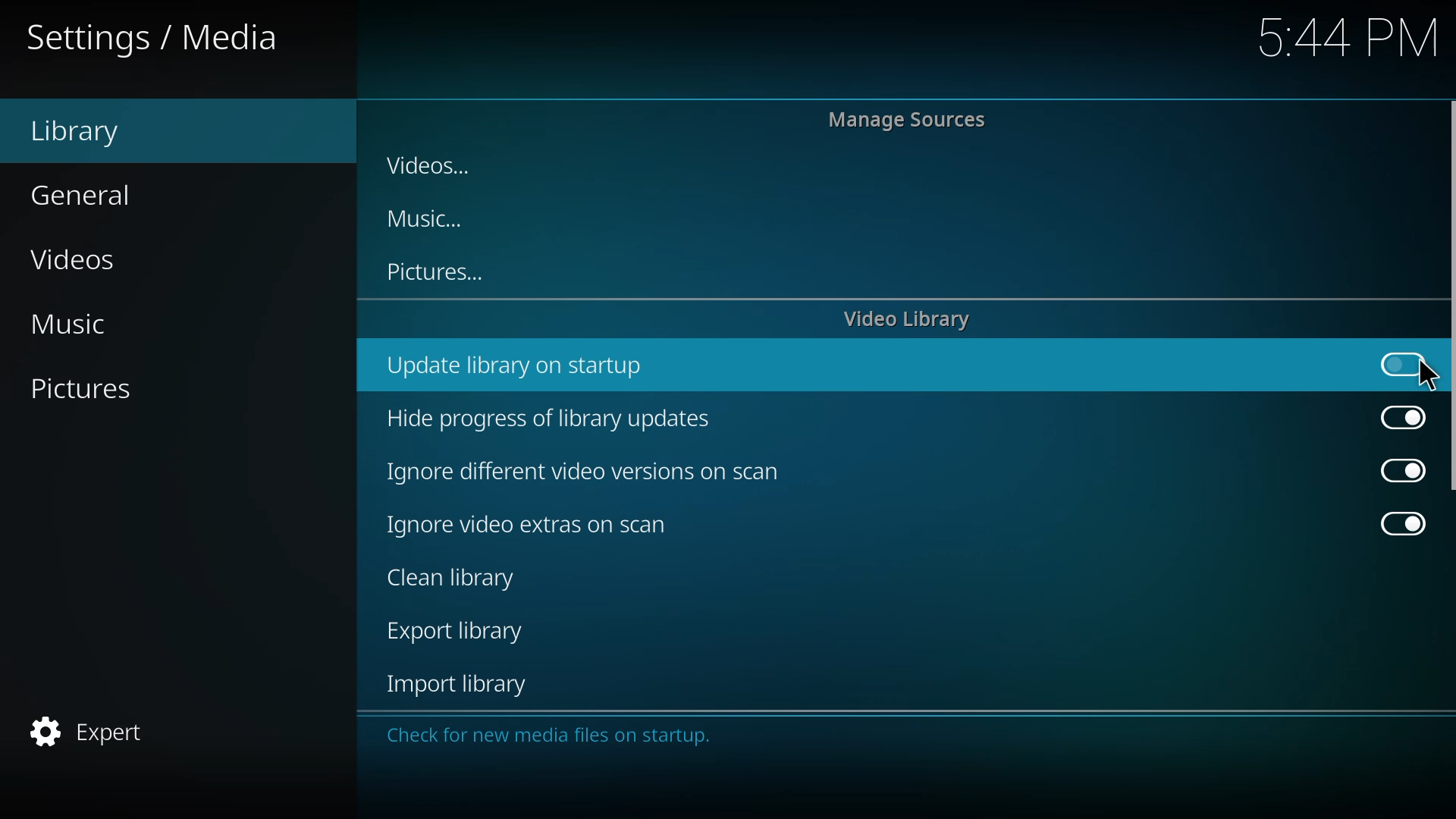 The height and width of the screenshot is (819, 1456). What do you see at coordinates (912, 319) in the screenshot?
I see `video library` at bounding box center [912, 319].